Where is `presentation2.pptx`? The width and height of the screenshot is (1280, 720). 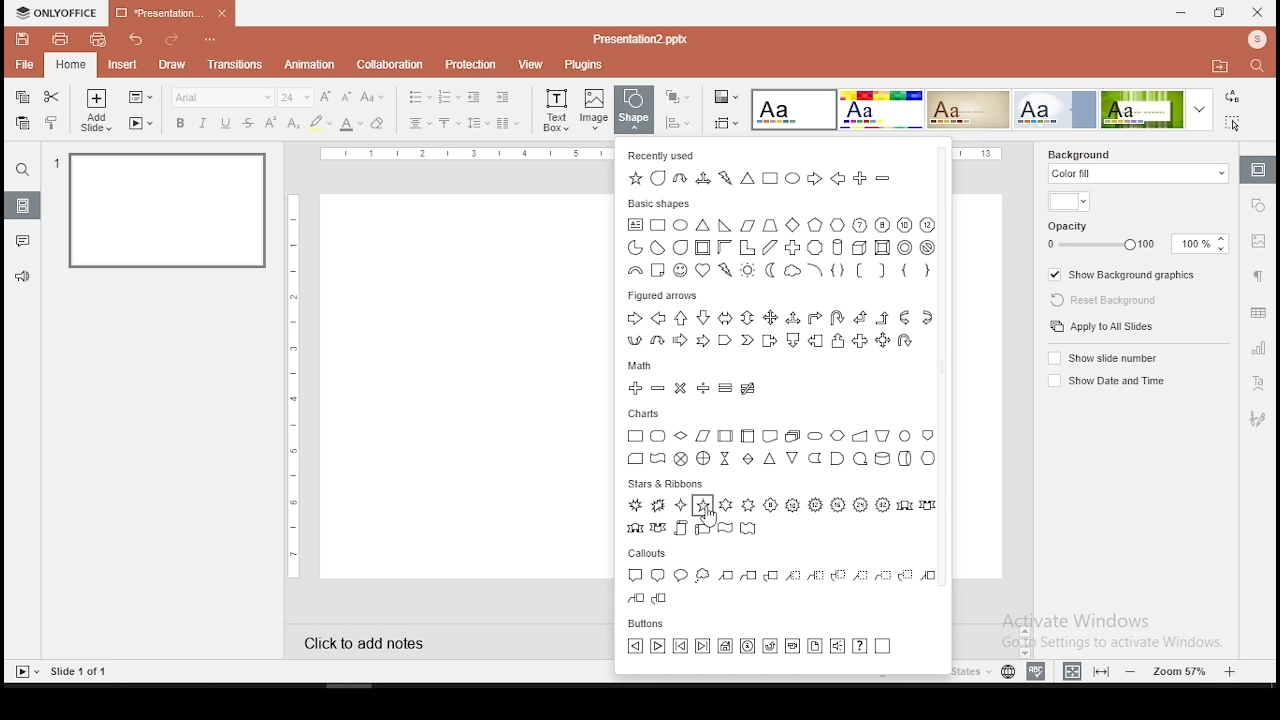 presentation2.pptx is located at coordinates (637, 40).